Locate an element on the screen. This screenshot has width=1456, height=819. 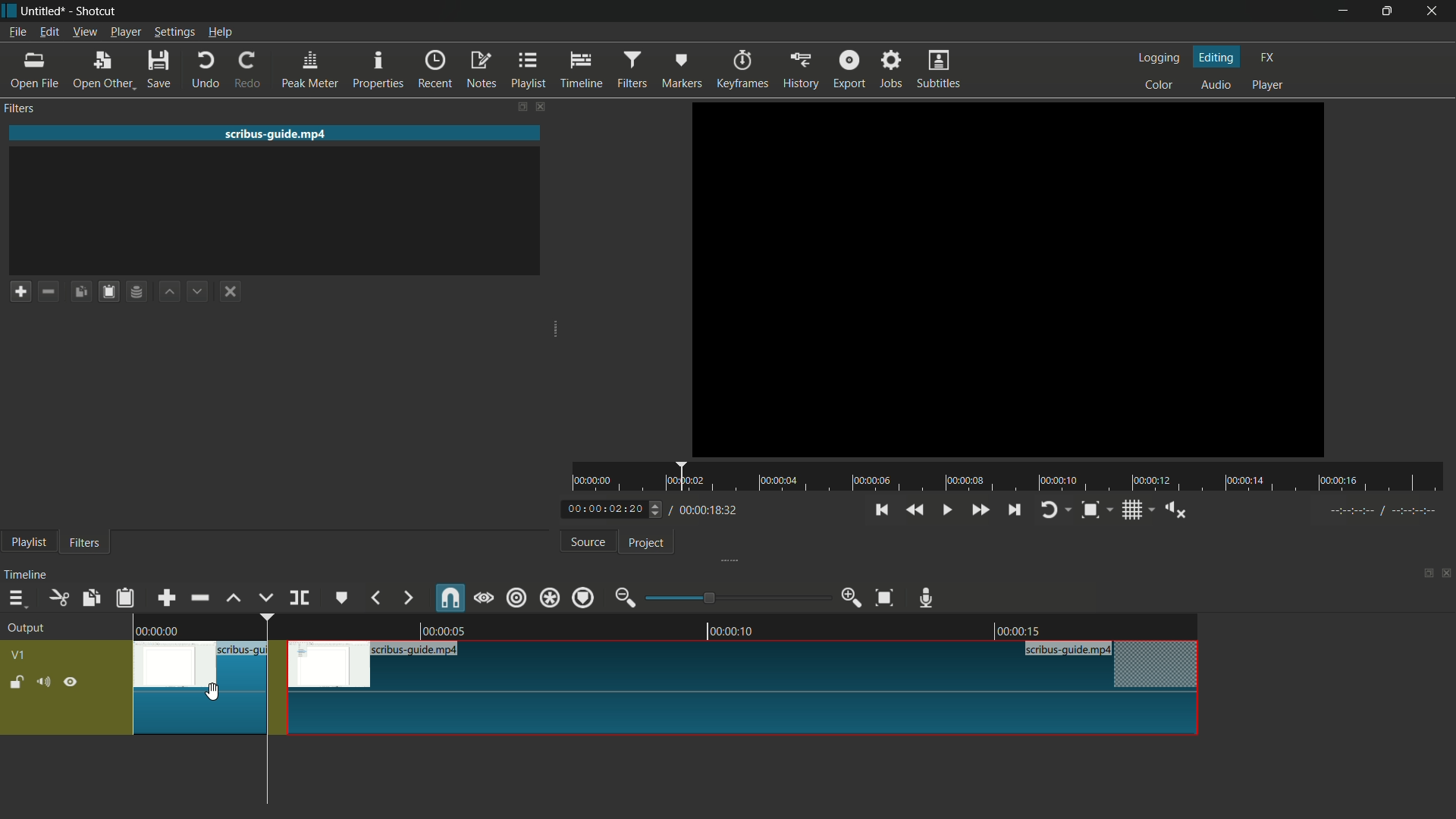
current time is located at coordinates (603, 510).